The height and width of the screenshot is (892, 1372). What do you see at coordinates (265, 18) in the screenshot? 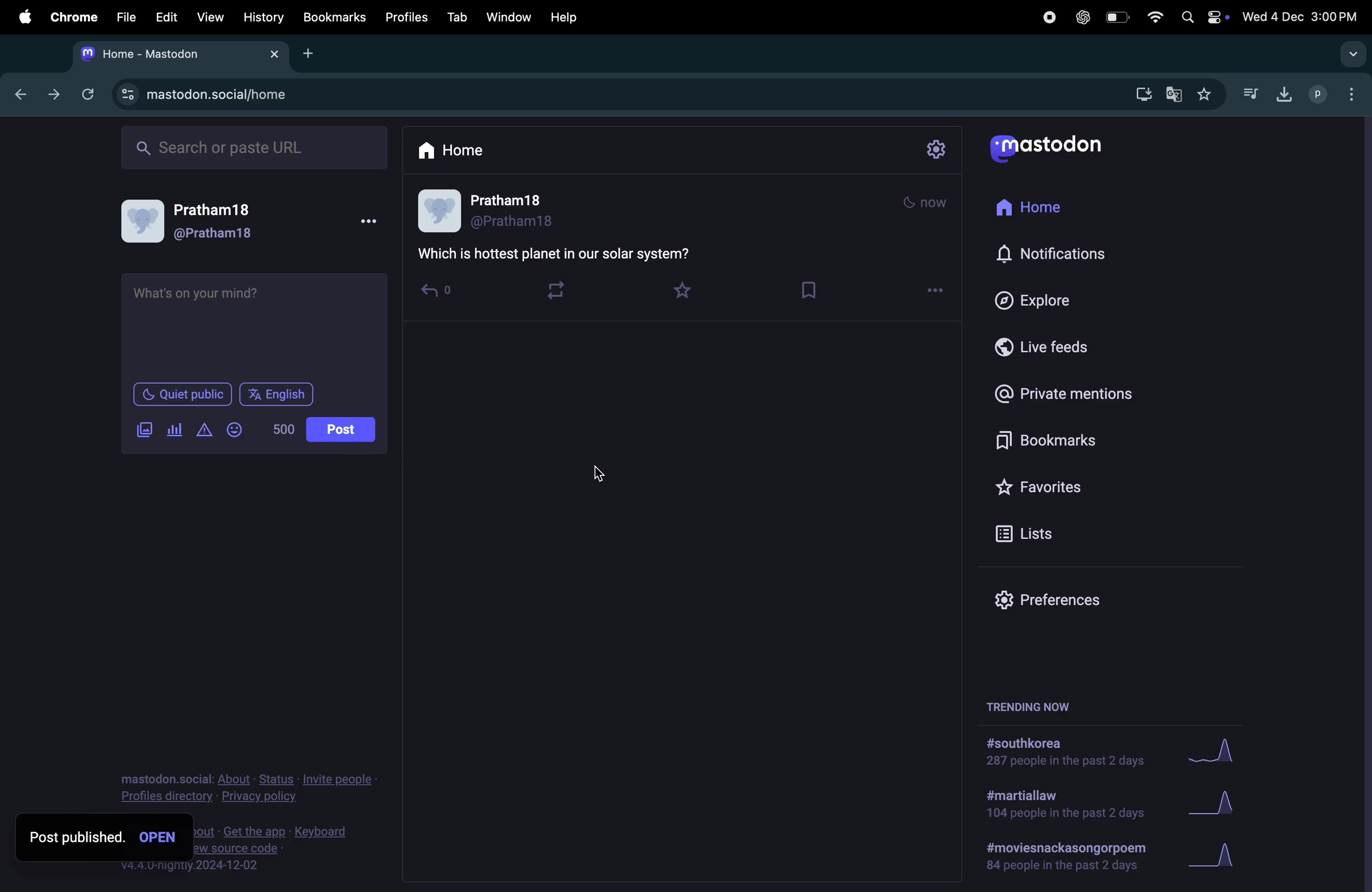
I see `history` at bounding box center [265, 18].